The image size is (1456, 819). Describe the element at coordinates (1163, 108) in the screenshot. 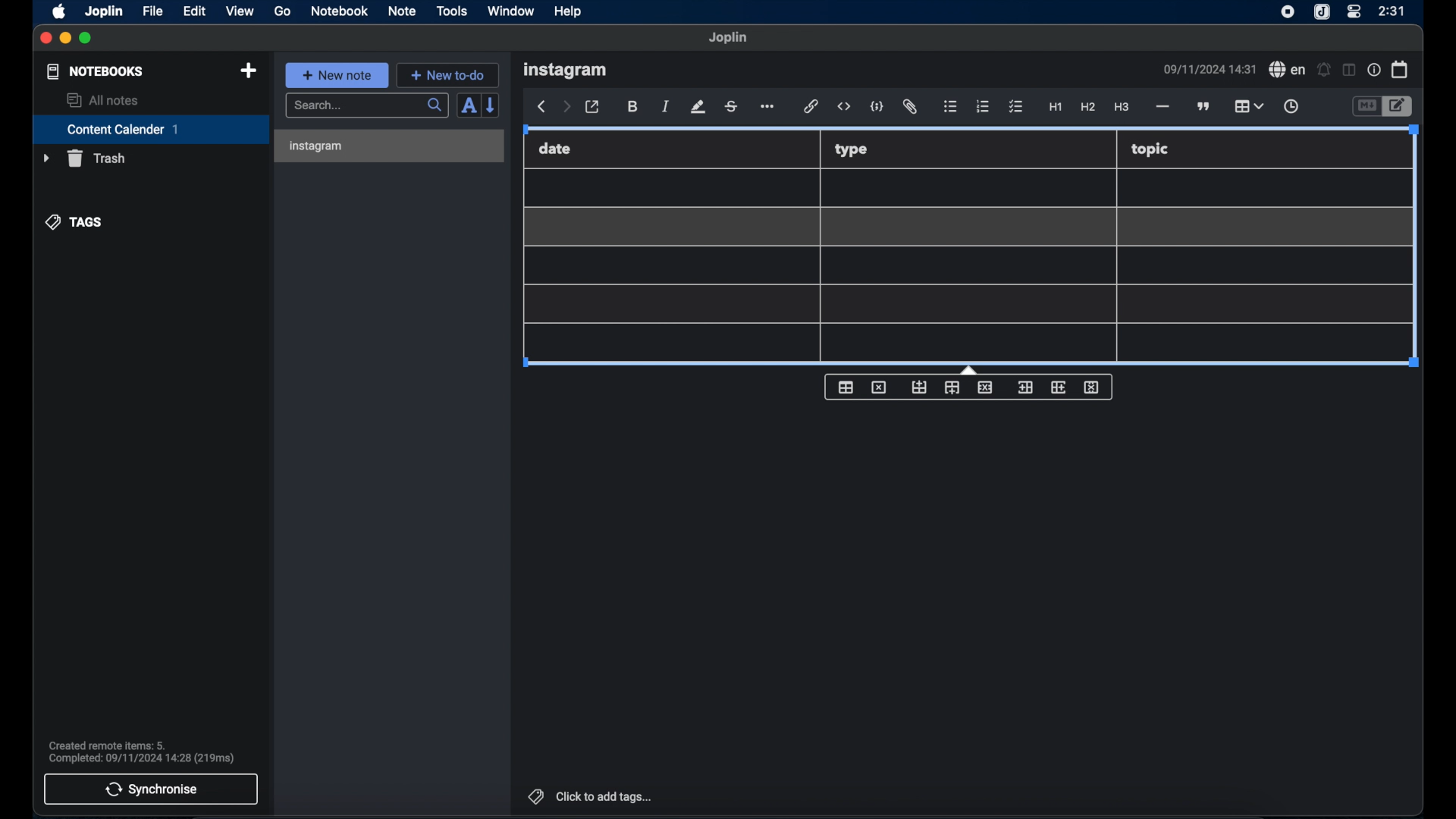

I see `horizontal line` at that location.